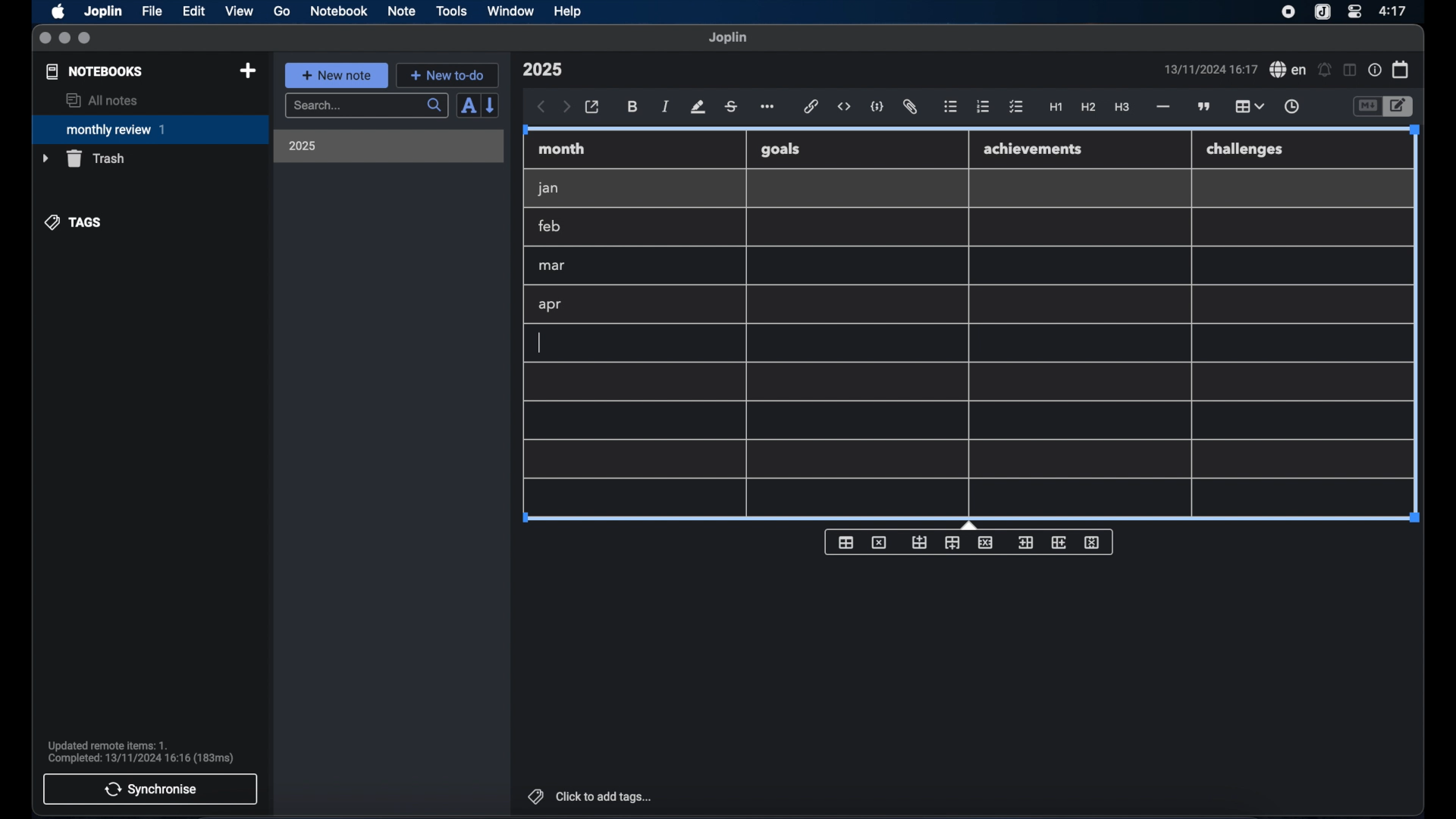 The image size is (1456, 819). Describe the element at coordinates (844, 107) in the screenshot. I see `inline code` at that location.